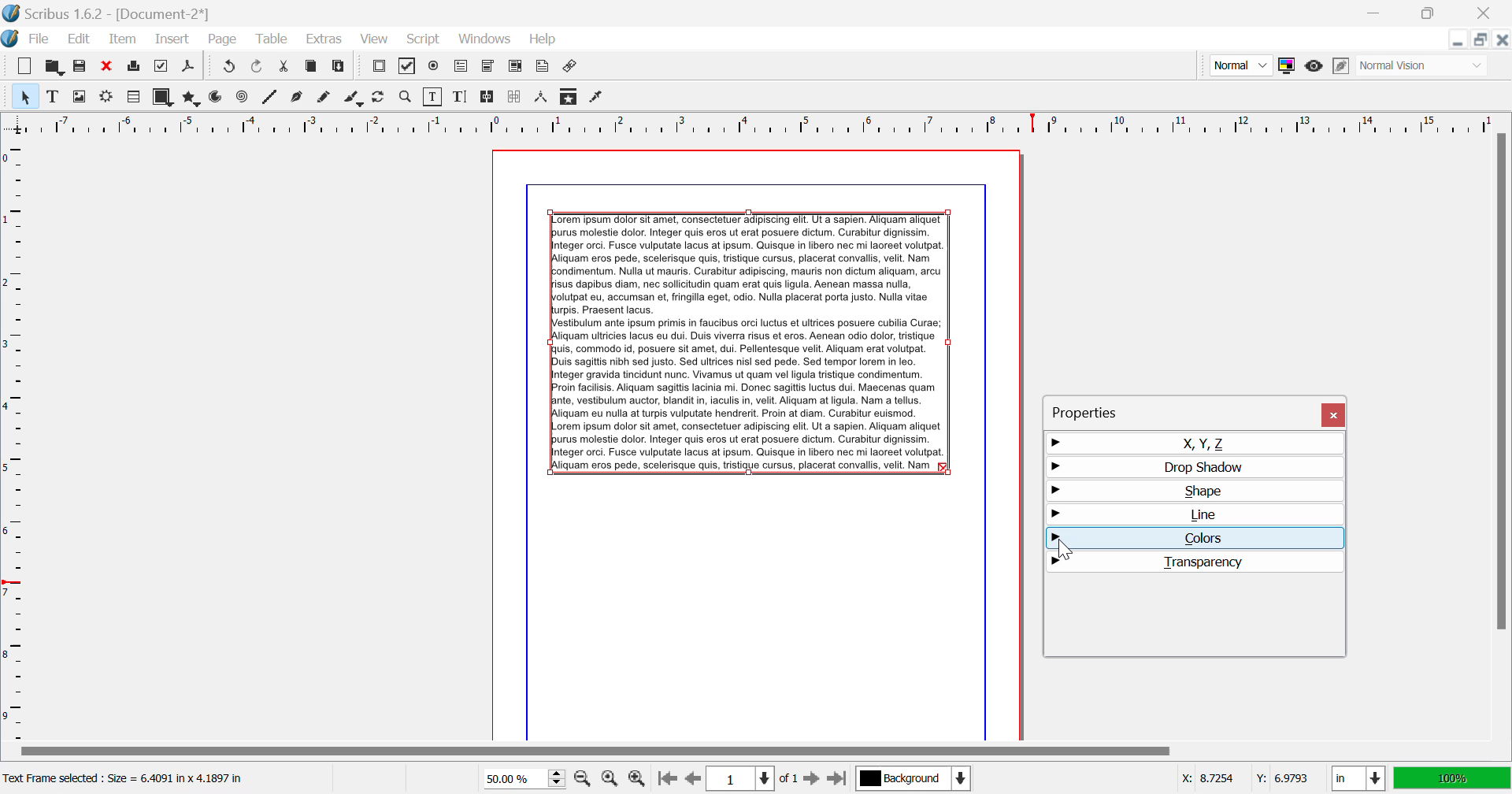 This screenshot has width=1512, height=794. Describe the element at coordinates (340, 69) in the screenshot. I see `Paste` at that location.